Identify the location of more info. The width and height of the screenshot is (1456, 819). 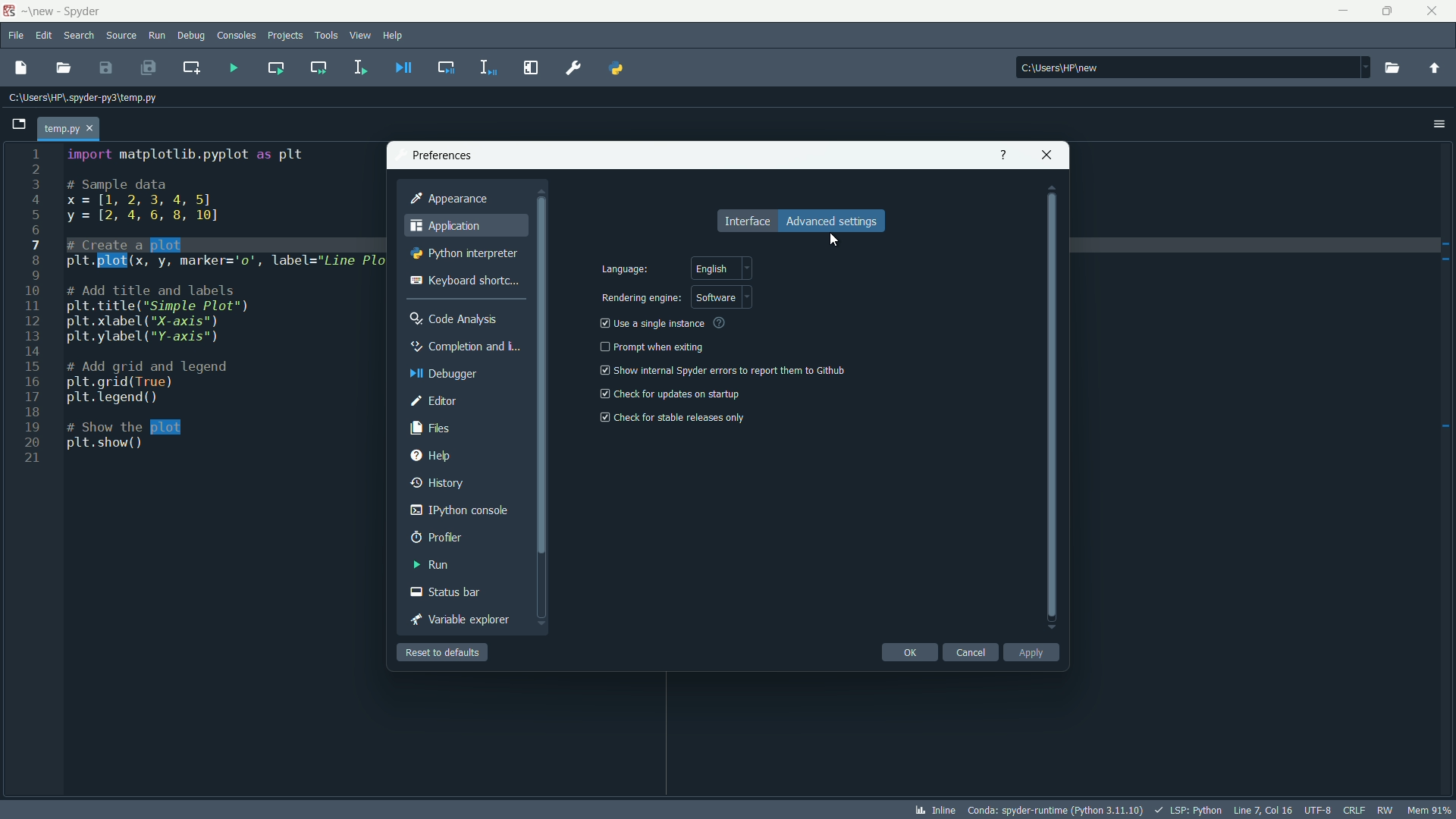
(720, 323).